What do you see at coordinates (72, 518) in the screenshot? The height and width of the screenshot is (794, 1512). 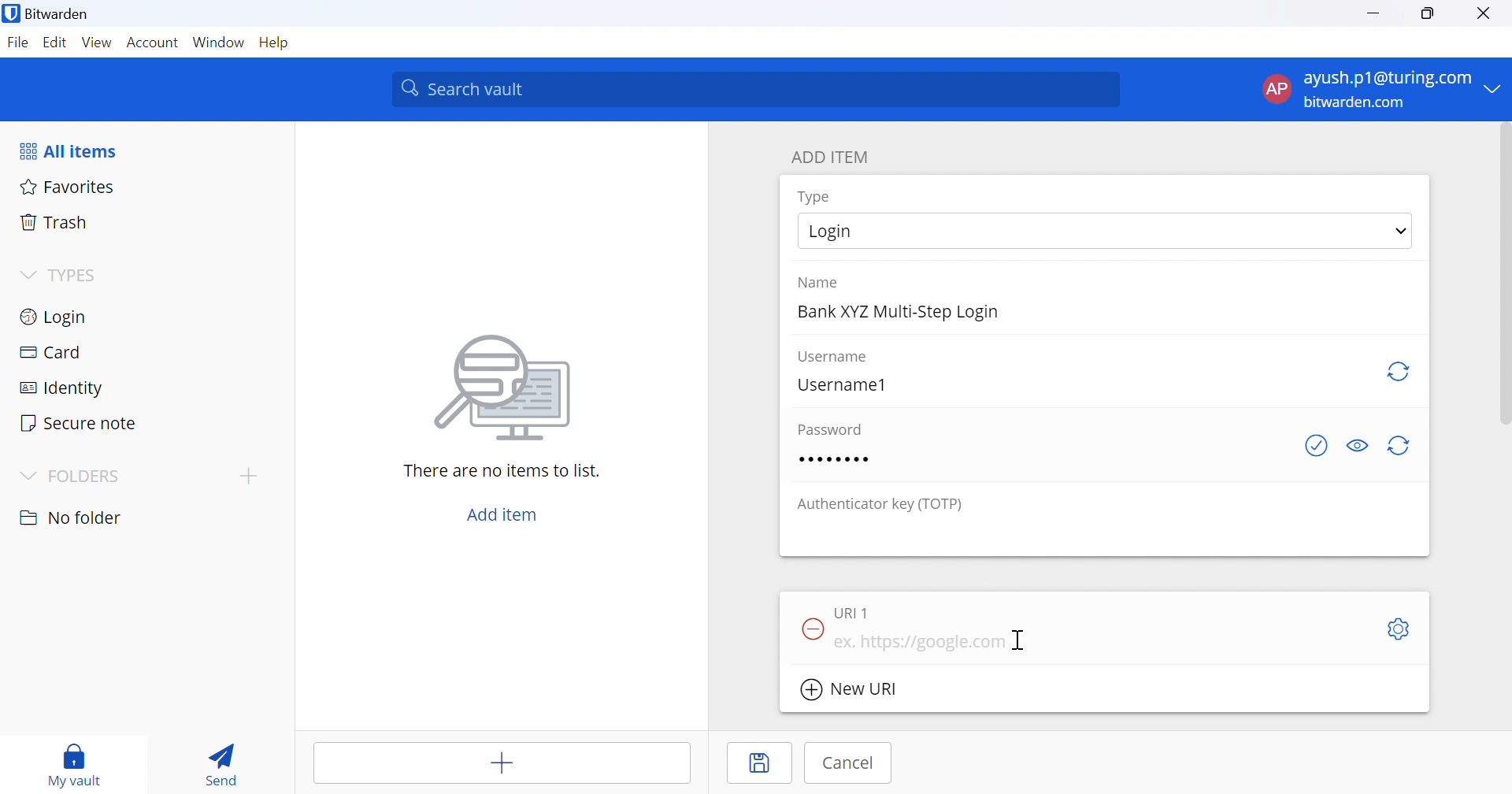 I see `No folder` at bounding box center [72, 518].